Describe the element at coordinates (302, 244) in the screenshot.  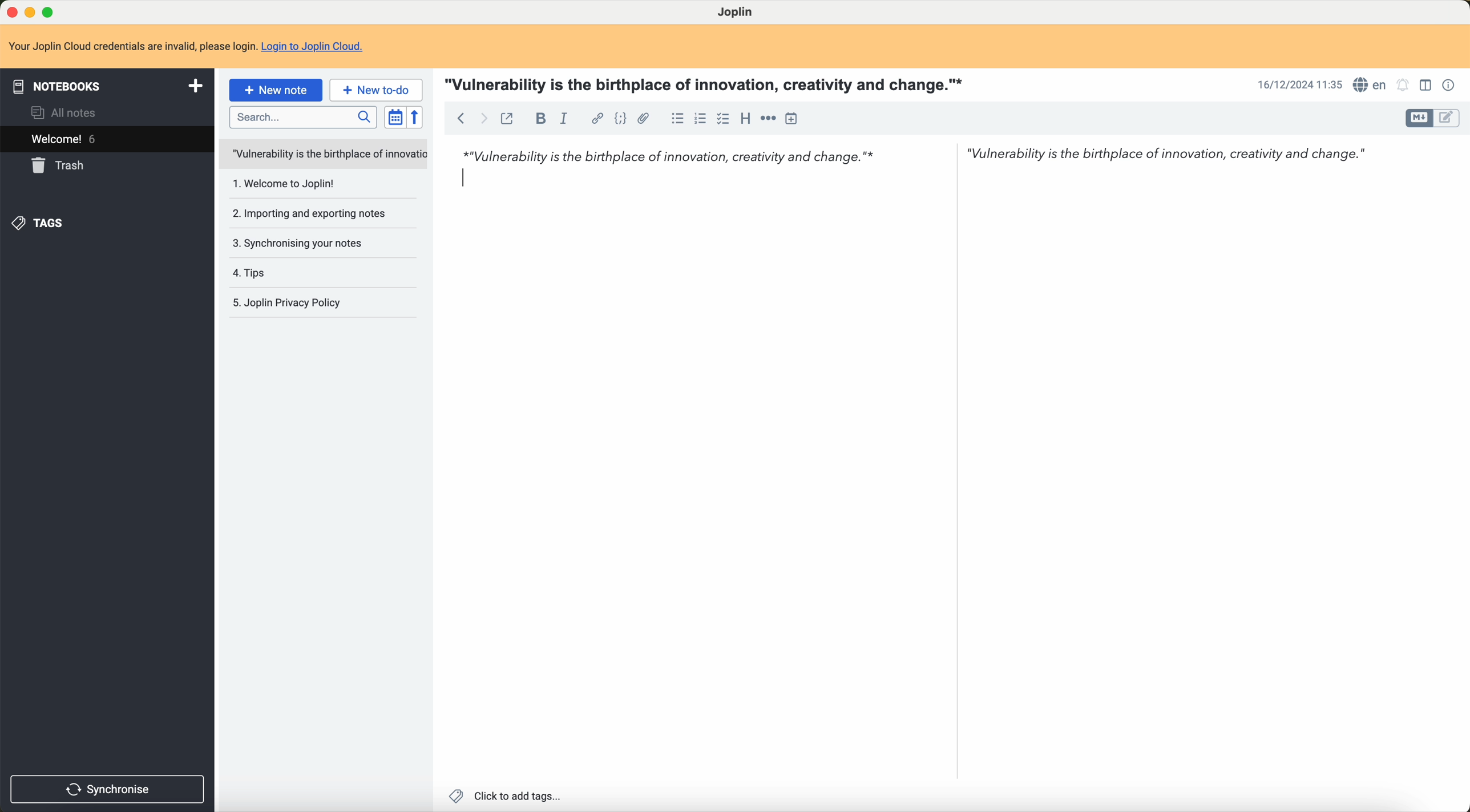
I see `3. Synchronising your notes` at that location.